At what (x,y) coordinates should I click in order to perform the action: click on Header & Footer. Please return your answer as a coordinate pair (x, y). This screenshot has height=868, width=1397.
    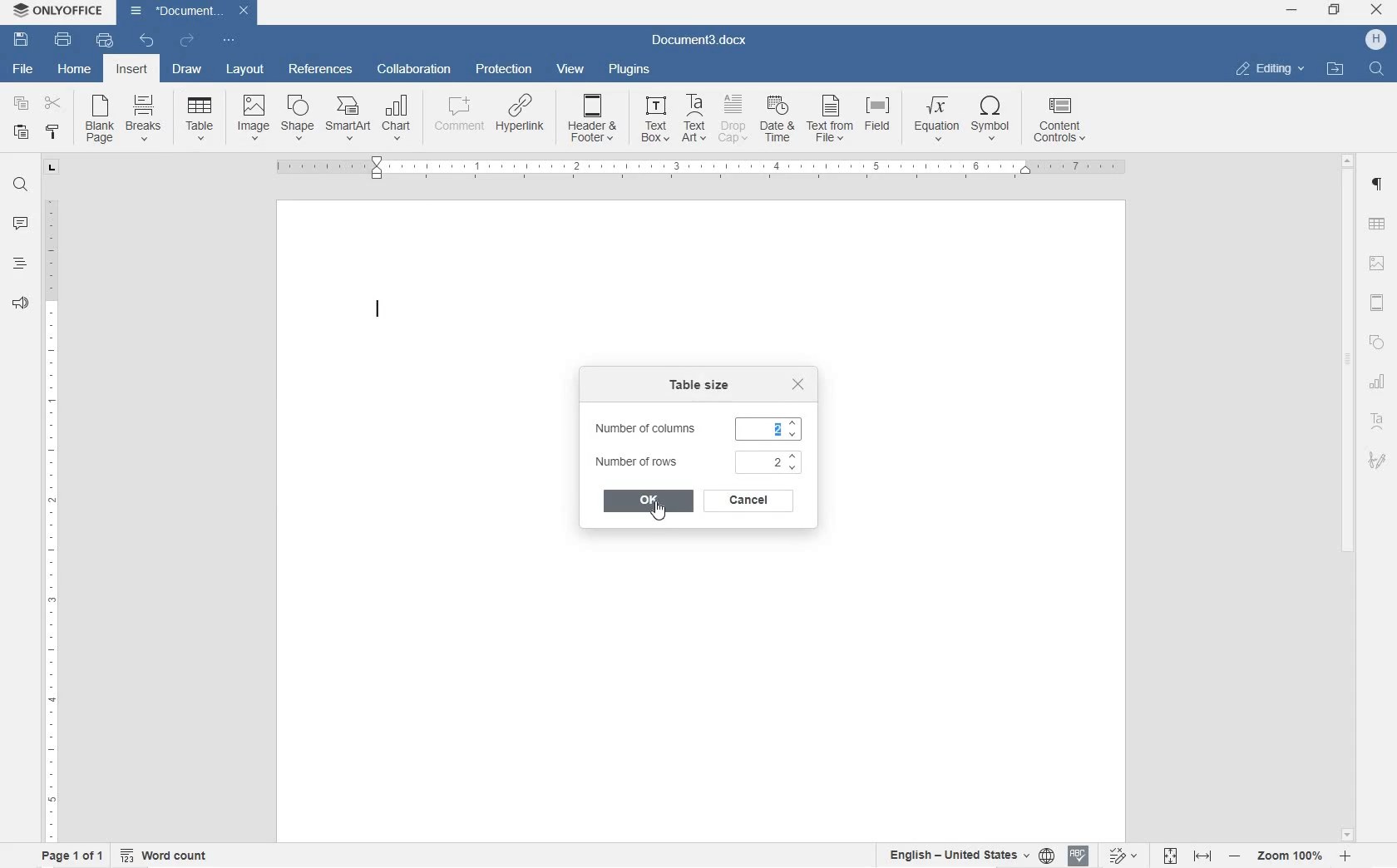
    Looking at the image, I should click on (594, 121).